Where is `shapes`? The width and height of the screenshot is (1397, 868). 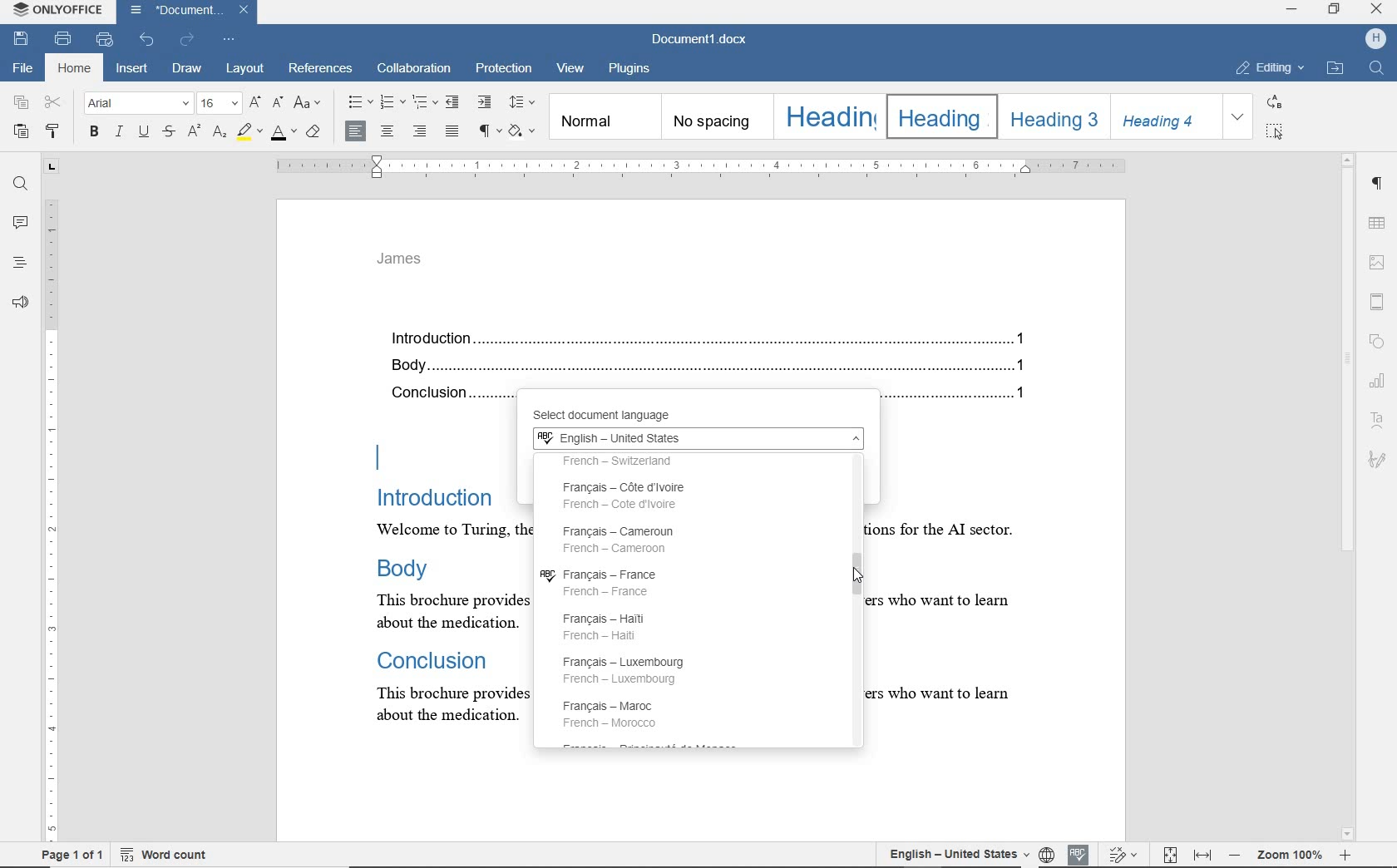 shapes is located at coordinates (1380, 343).